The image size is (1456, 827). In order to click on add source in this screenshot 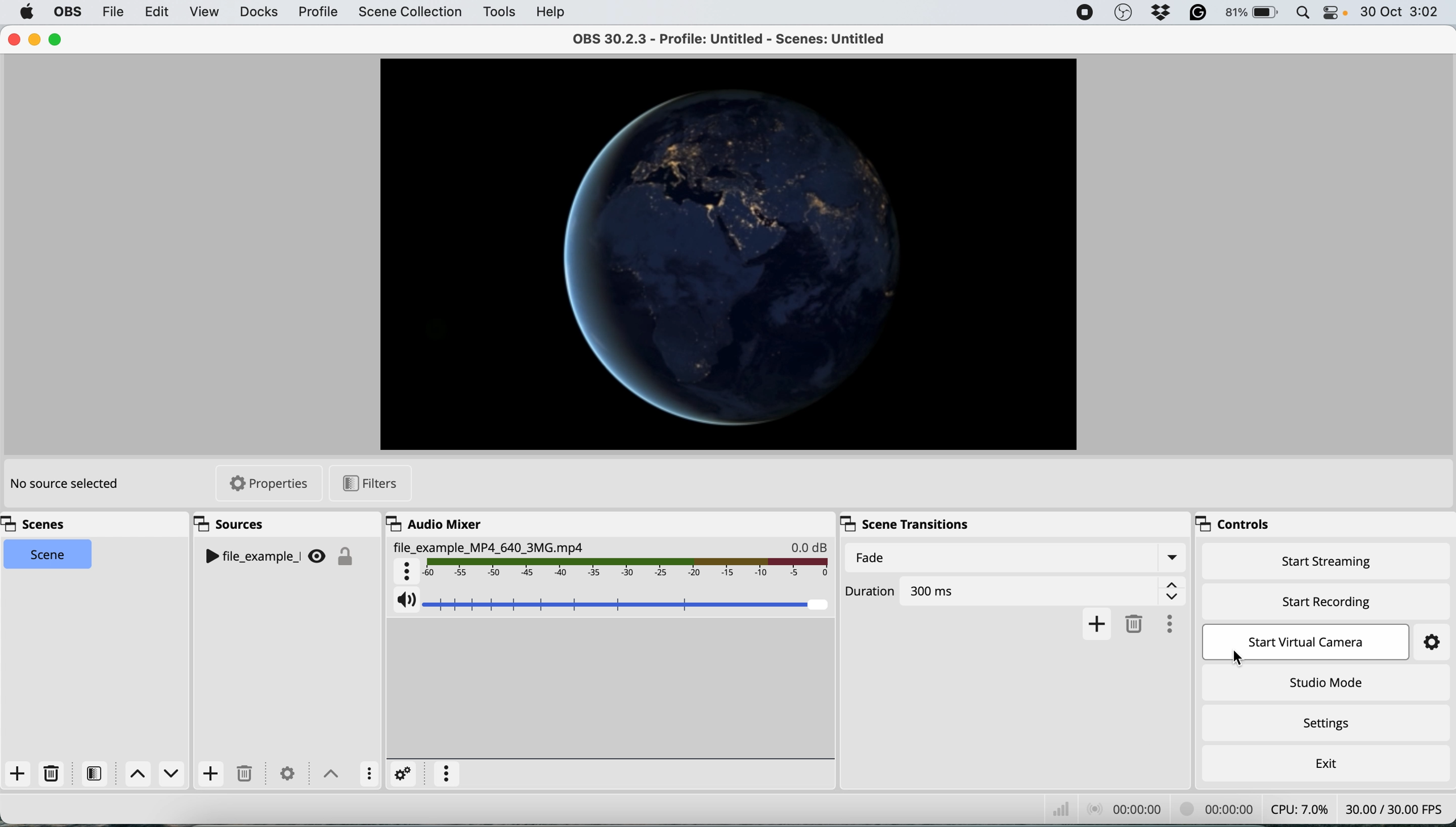, I will do `click(213, 772)`.